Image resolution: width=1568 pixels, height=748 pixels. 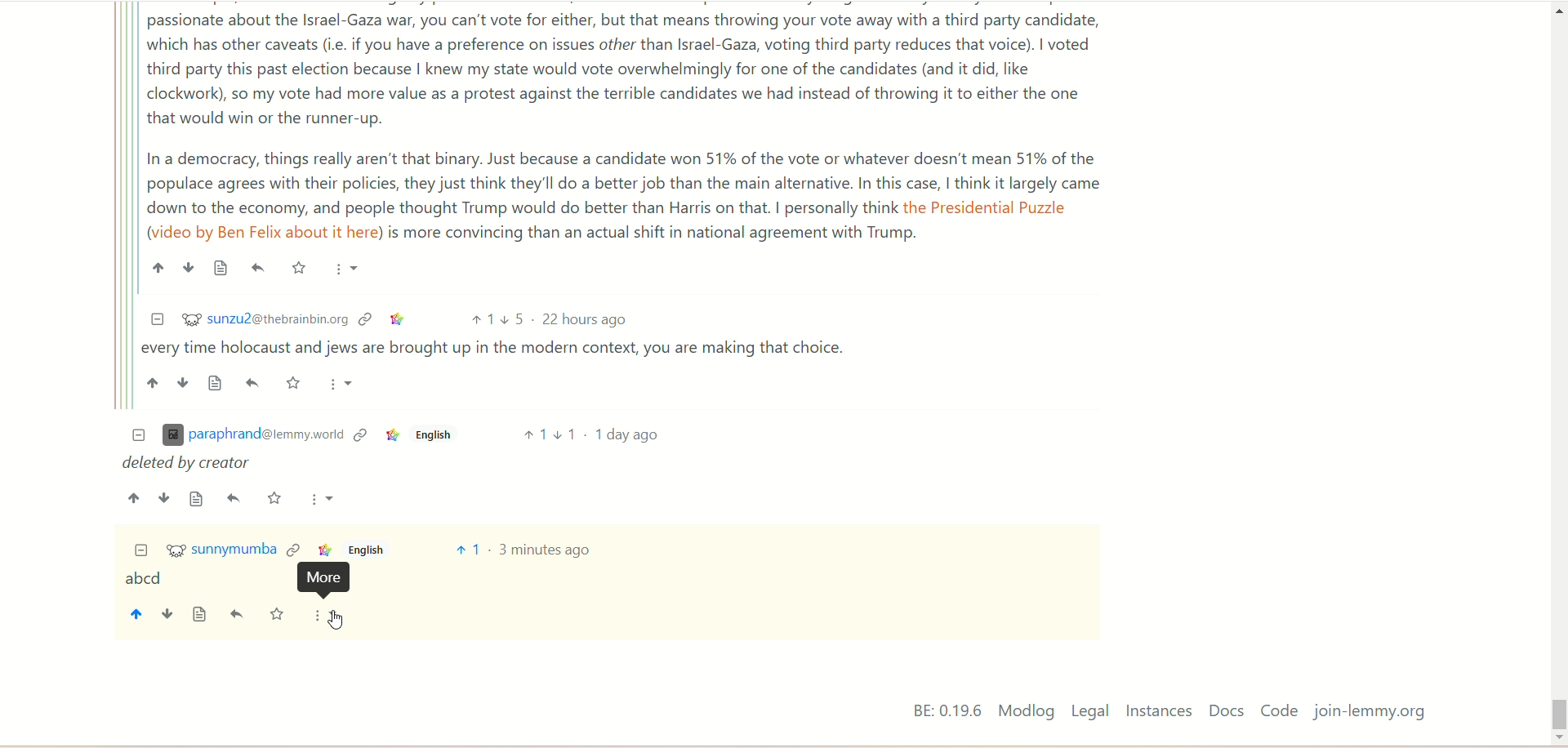 I want to click on Reply, so click(x=234, y=498).